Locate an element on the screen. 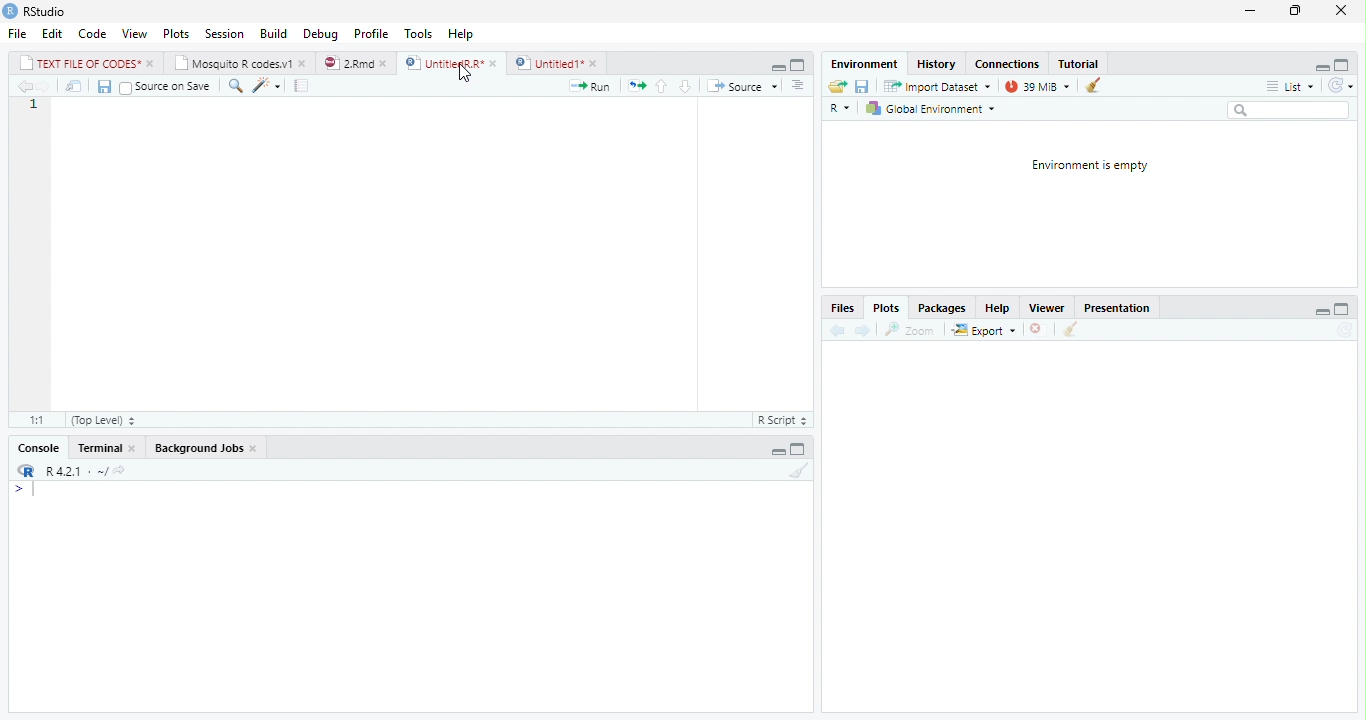 Image resolution: width=1366 pixels, height=720 pixels. 39MiB is located at coordinates (1037, 84).